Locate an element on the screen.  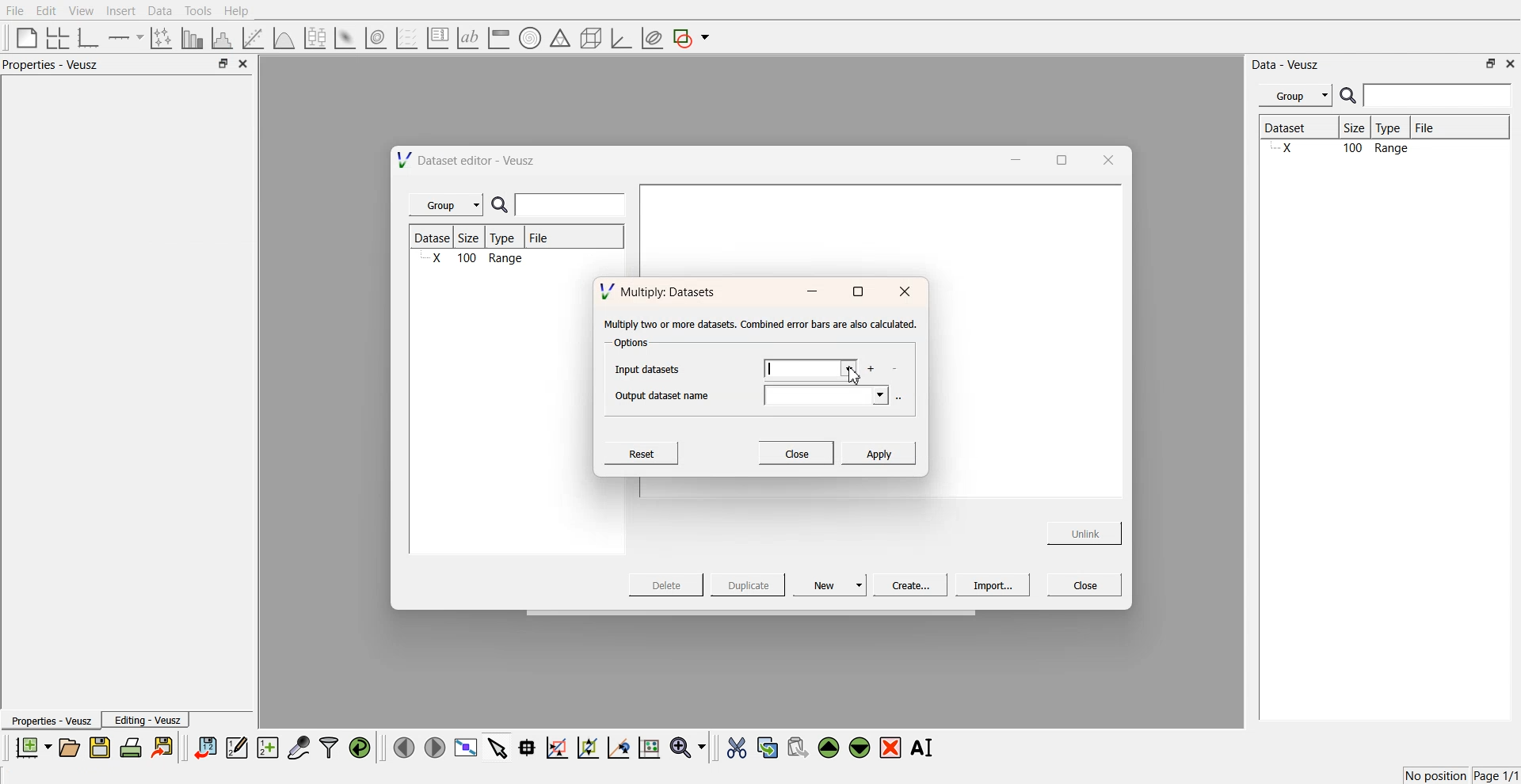
Rename the selected widgets is located at coordinates (925, 748).